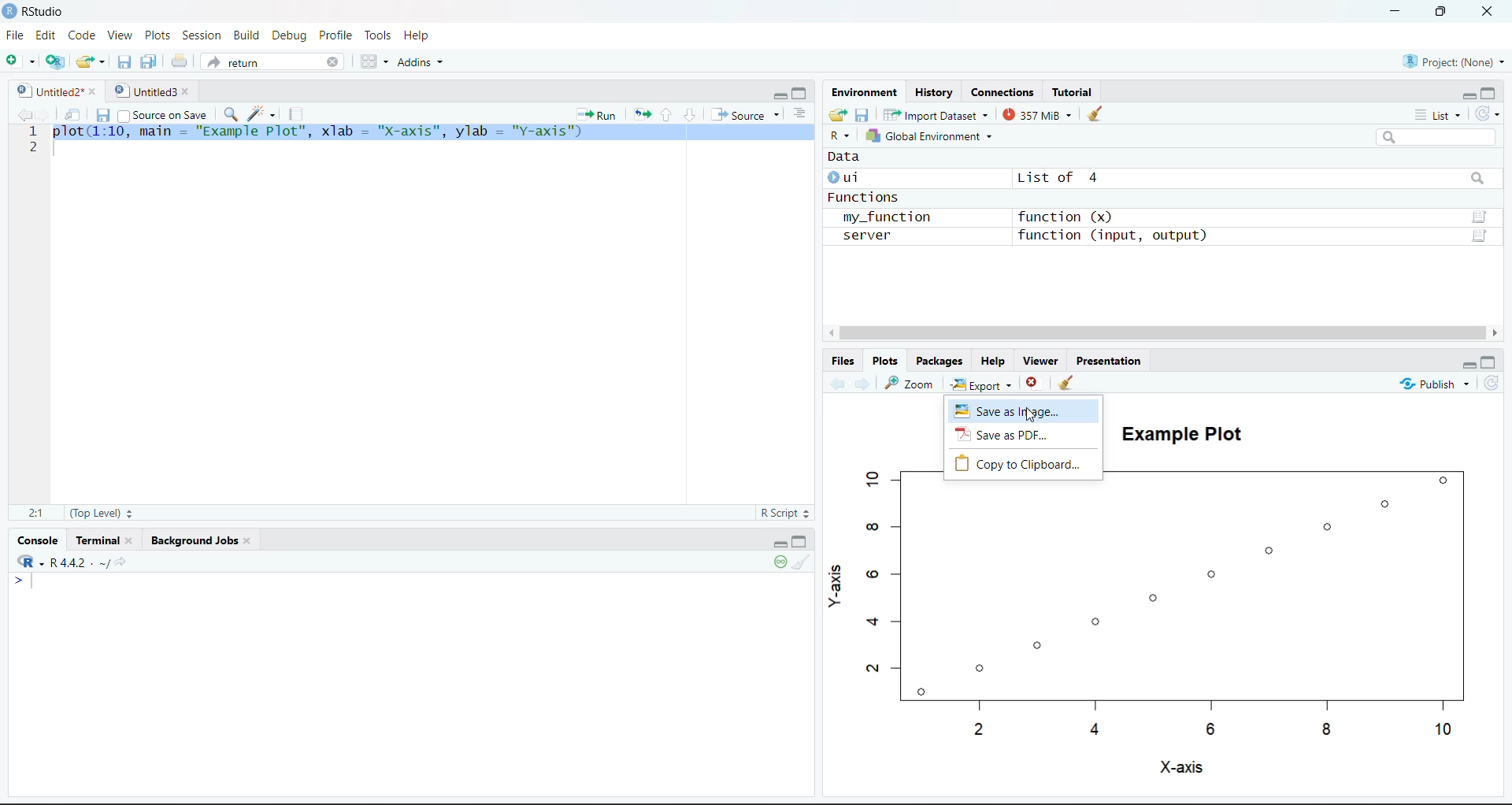 The image size is (1512, 805). Describe the element at coordinates (1054, 178) in the screenshot. I see `List of 4` at that location.